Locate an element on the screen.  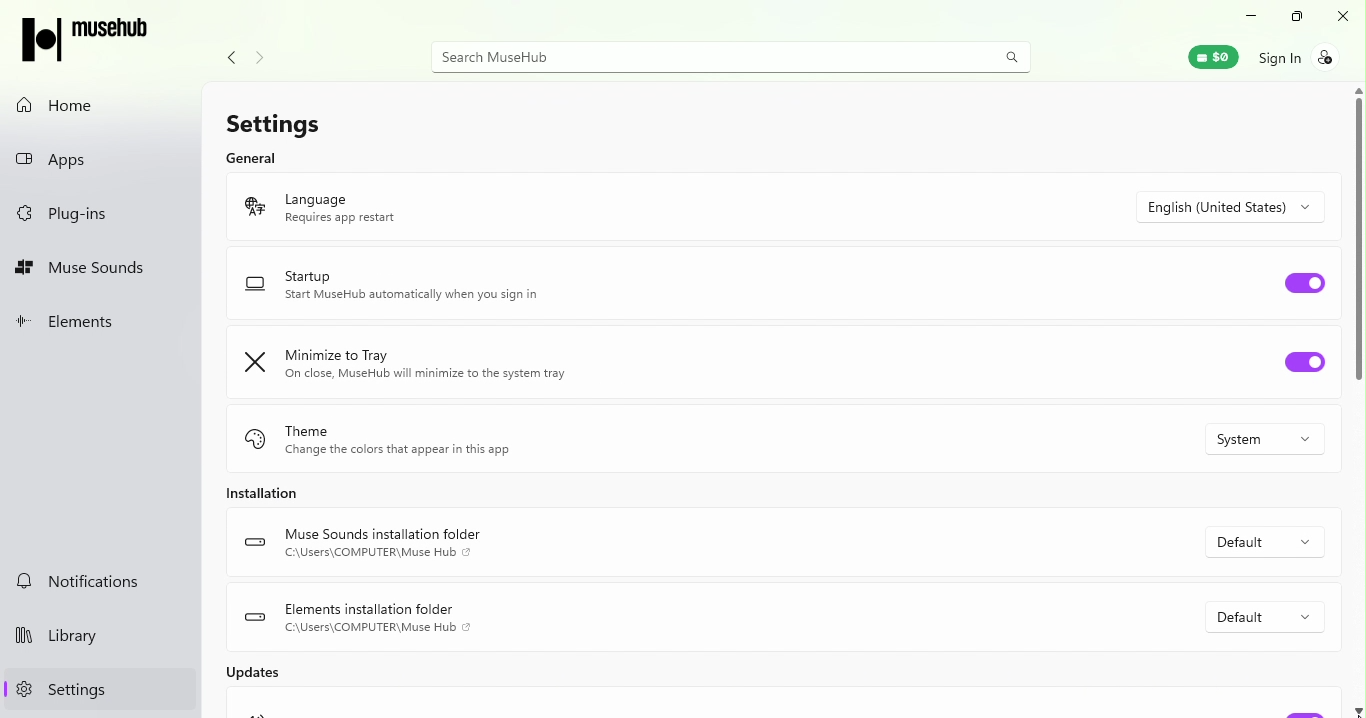
Drop down is located at coordinates (1275, 432).